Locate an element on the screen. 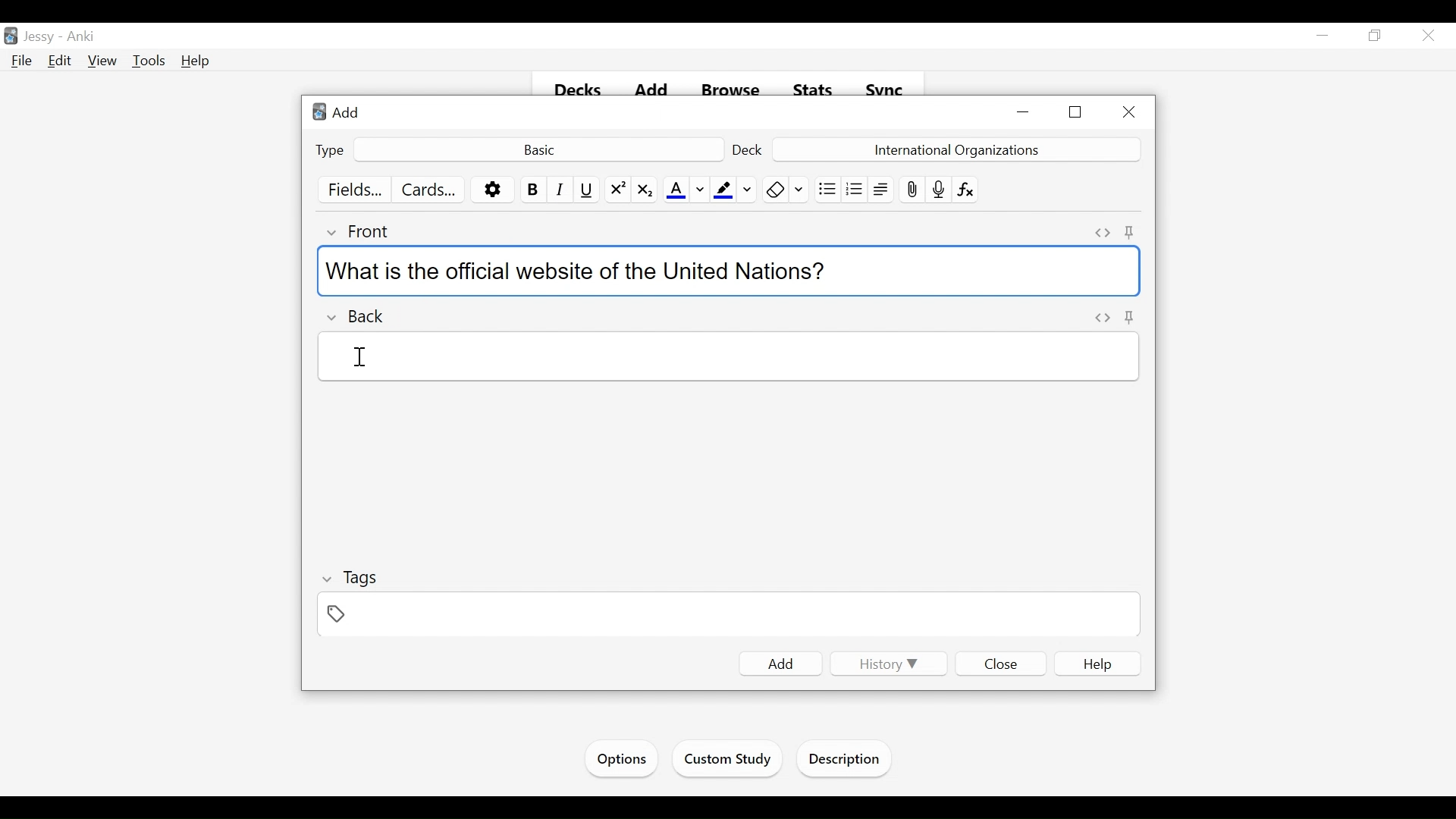 This screenshot has height=819, width=1456. Clear formatting is located at coordinates (773, 189).